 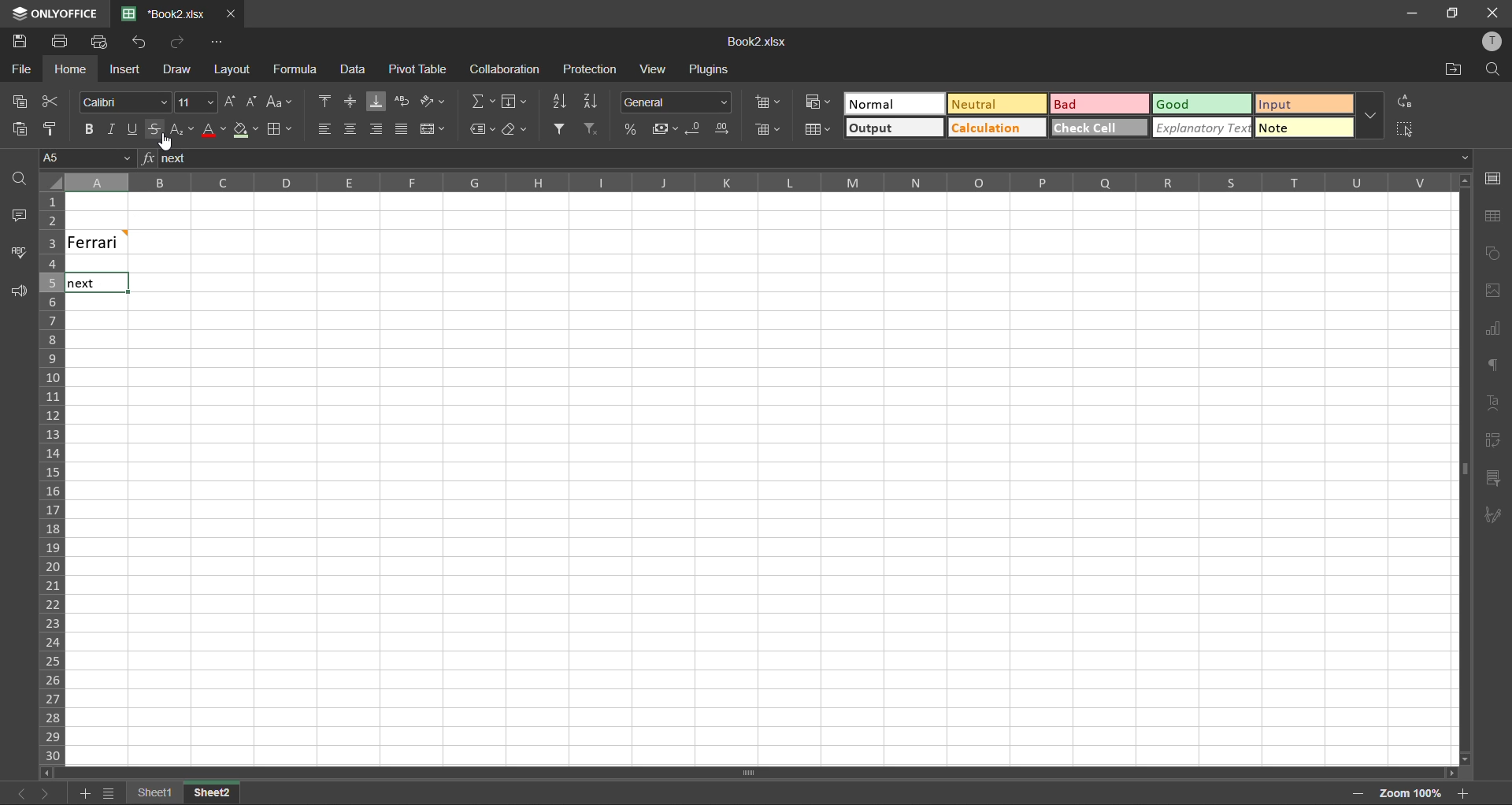 I want to click on cell address, so click(x=89, y=158).